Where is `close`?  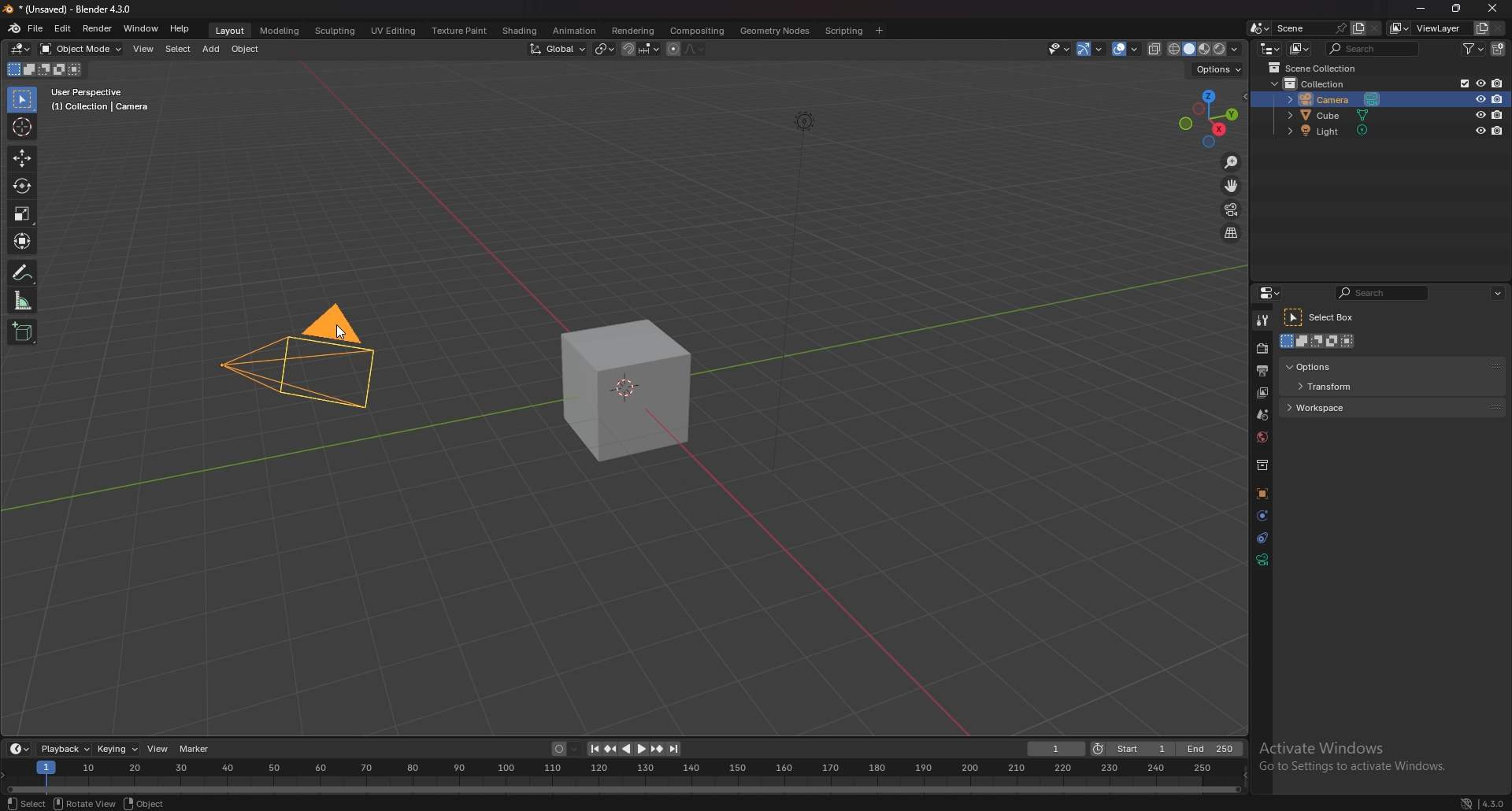 close is located at coordinates (1494, 9).